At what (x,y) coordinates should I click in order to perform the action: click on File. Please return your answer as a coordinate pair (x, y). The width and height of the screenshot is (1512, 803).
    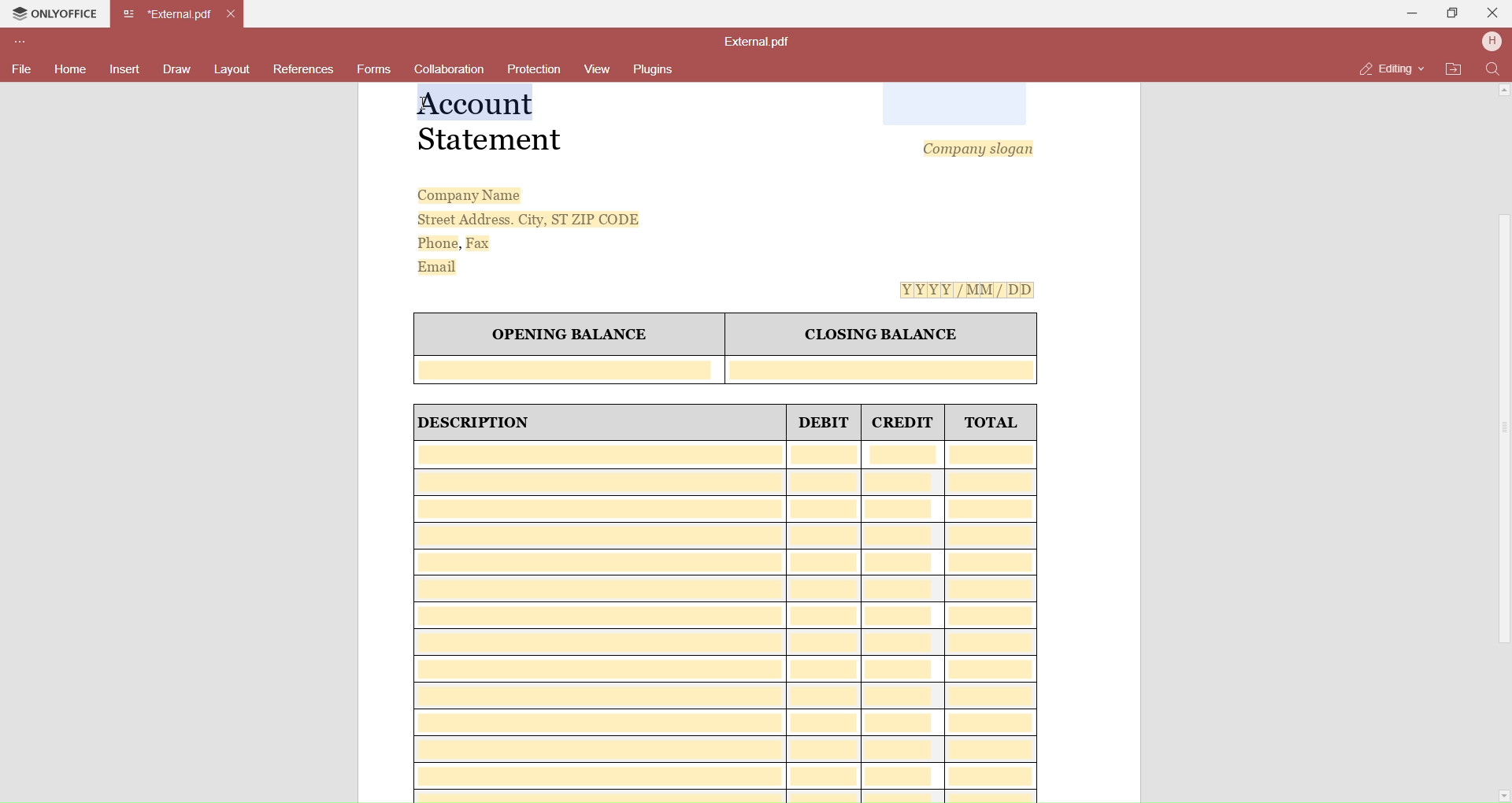
    Looking at the image, I should click on (22, 70).